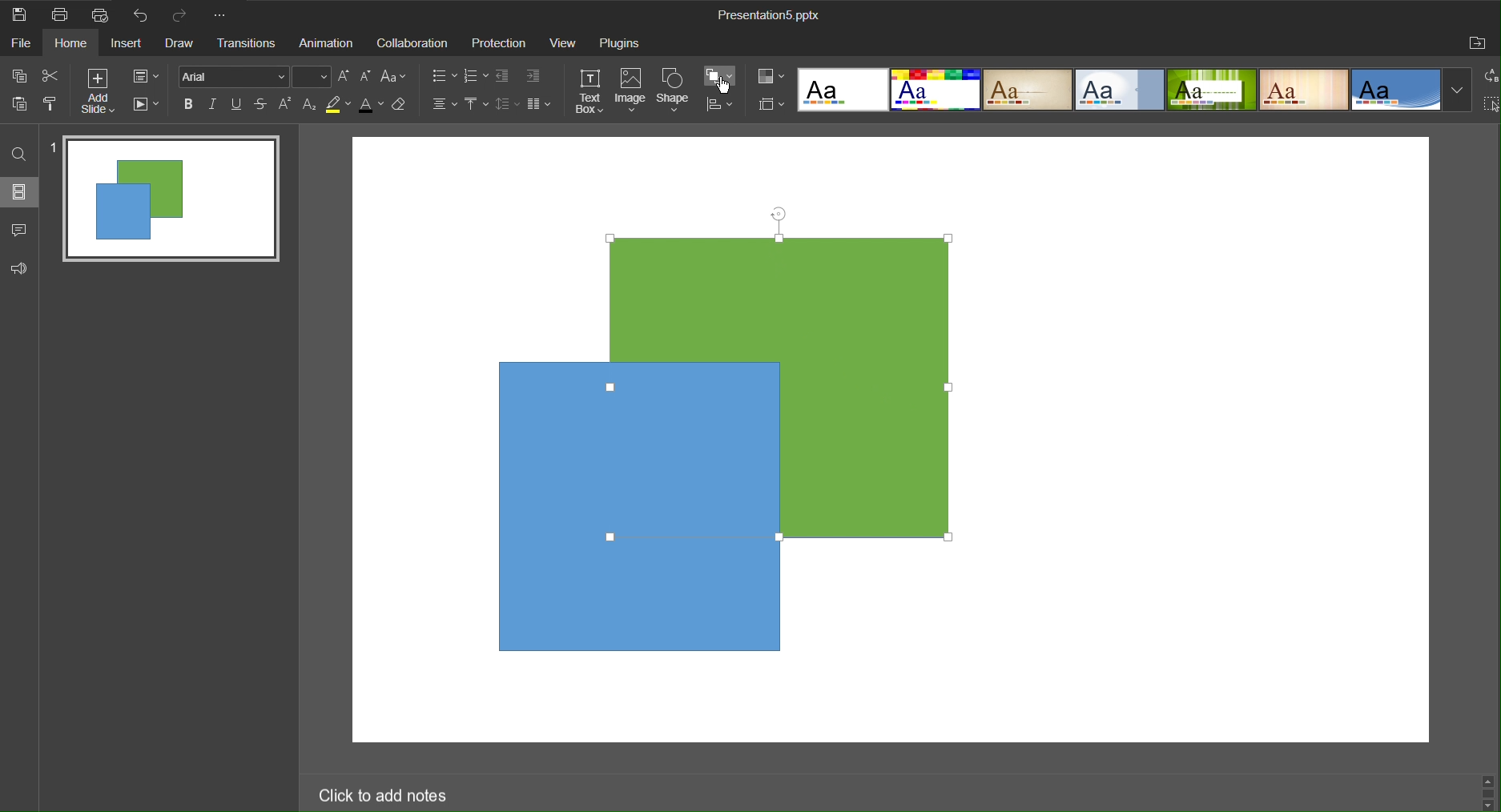 Image resolution: width=1501 pixels, height=812 pixels. What do you see at coordinates (622, 43) in the screenshot?
I see `Plugins` at bounding box center [622, 43].